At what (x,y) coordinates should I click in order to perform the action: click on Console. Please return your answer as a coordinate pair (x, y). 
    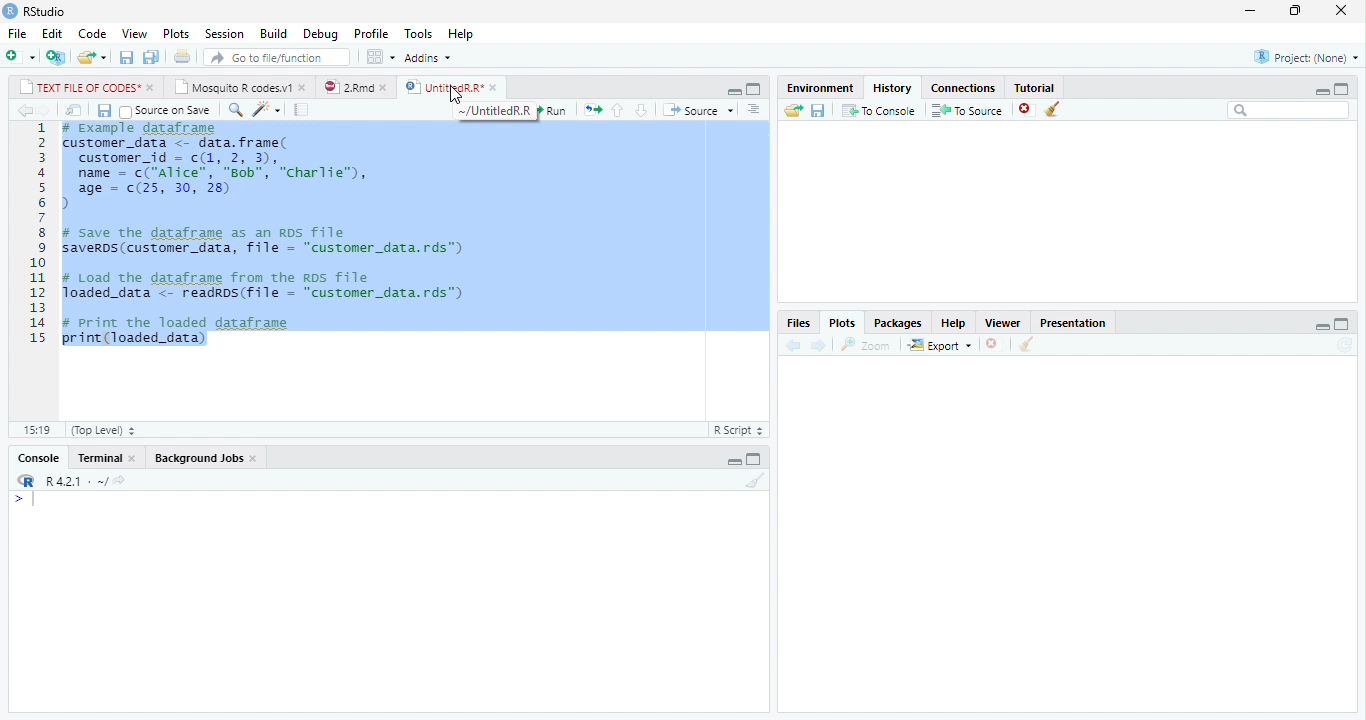
    Looking at the image, I should click on (39, 458).